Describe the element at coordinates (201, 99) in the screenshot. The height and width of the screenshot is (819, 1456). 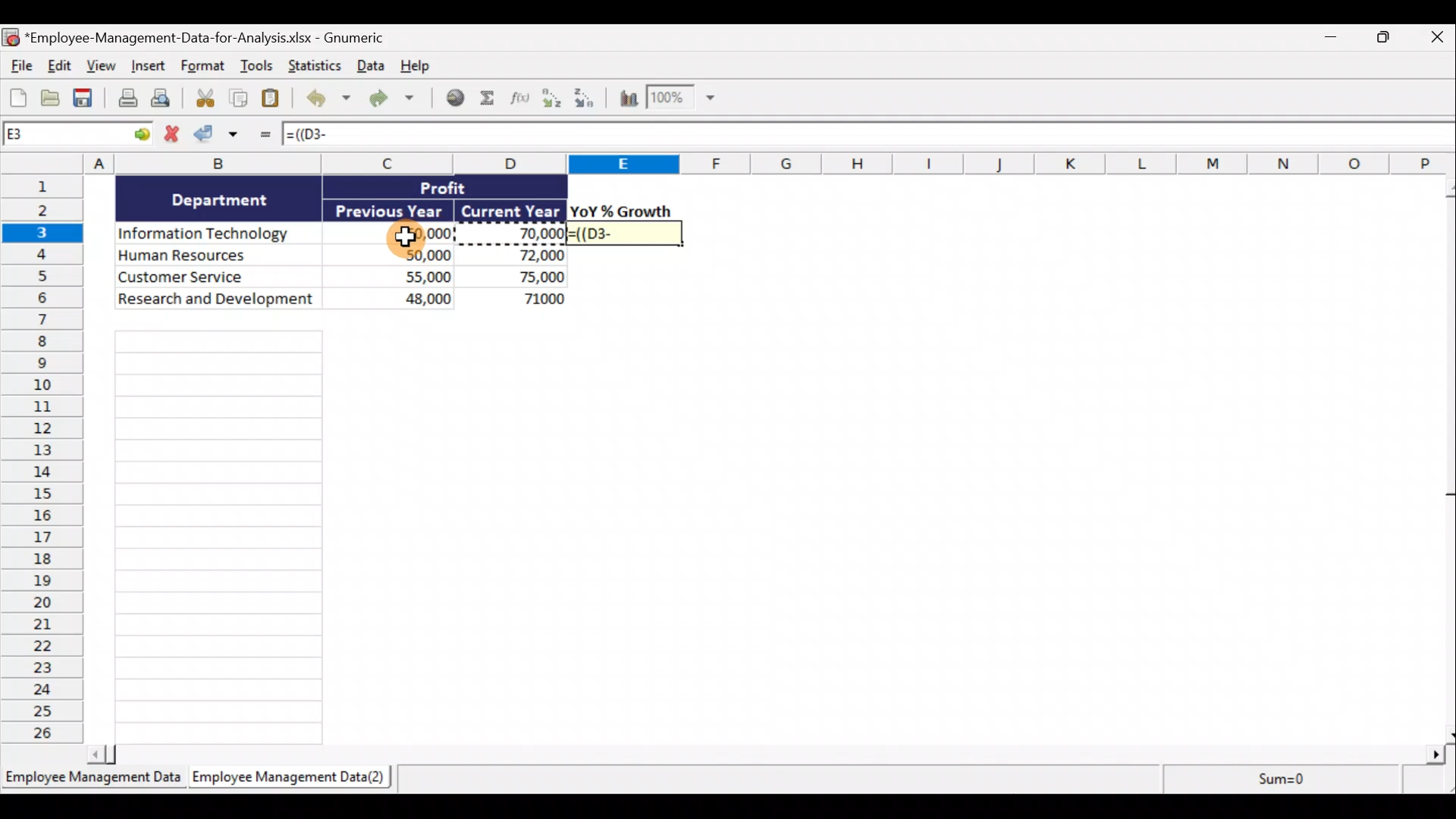
I see `Cut selection` at that location.